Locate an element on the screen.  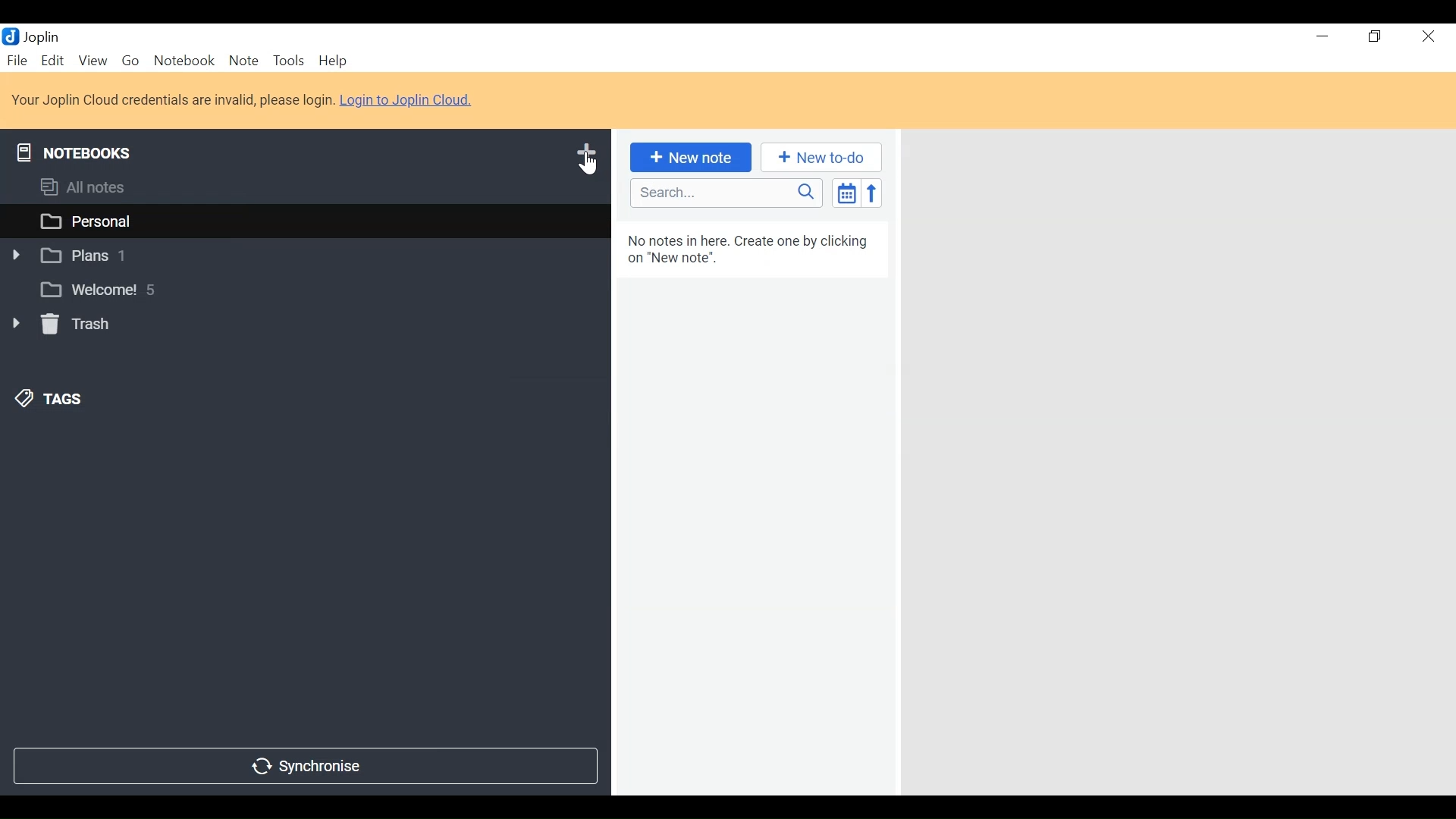
restore is located at coordinates (1375, 37).